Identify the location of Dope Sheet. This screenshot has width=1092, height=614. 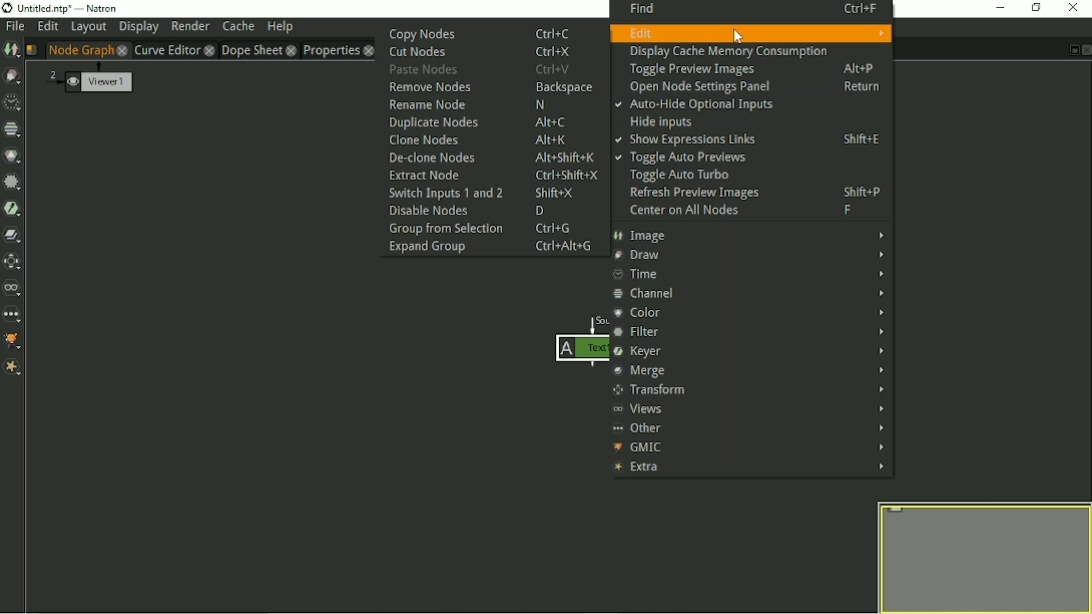
(250, 50).